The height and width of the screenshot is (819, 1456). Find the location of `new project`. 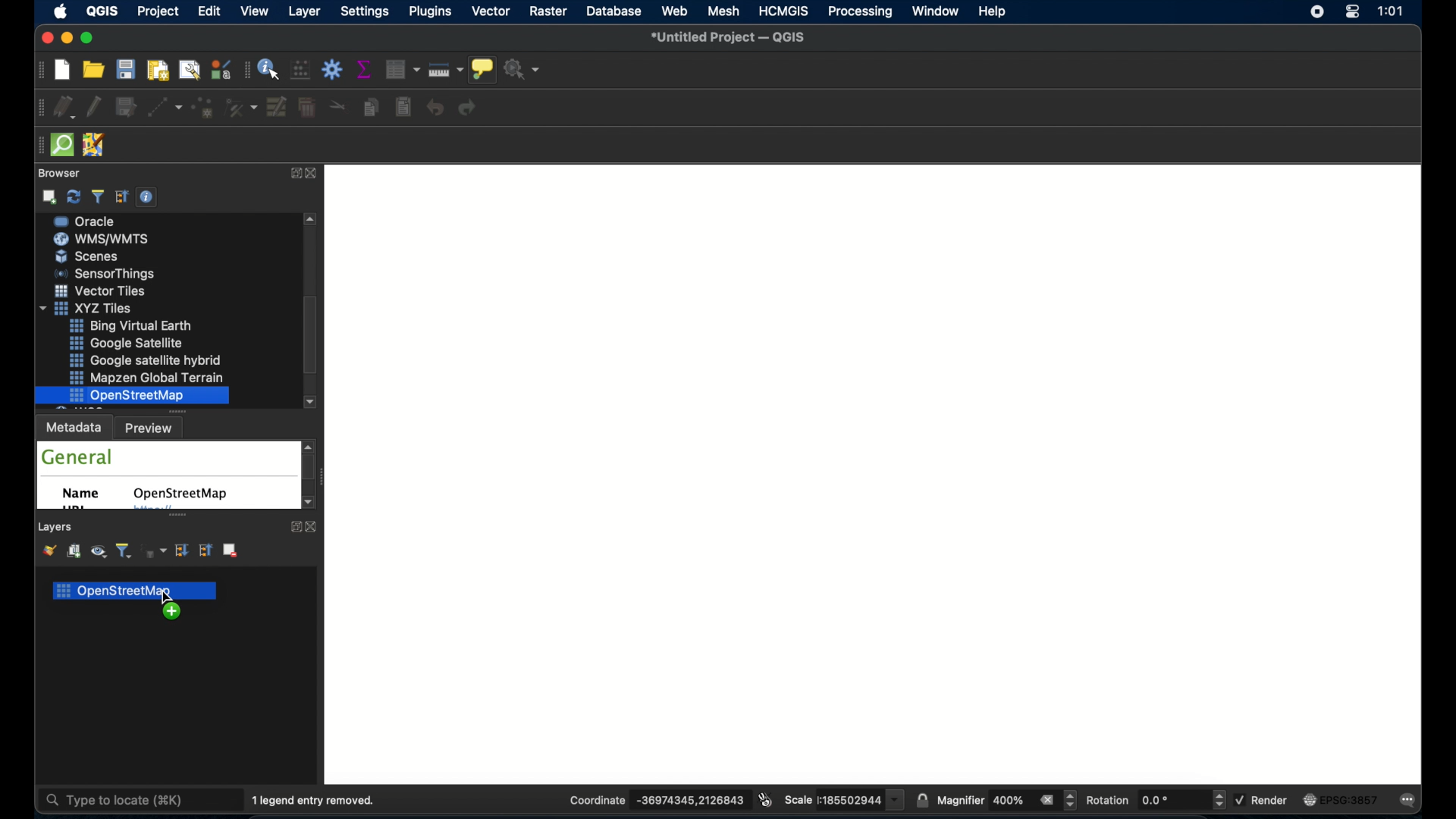

new project is located at coordinates (61, 71).